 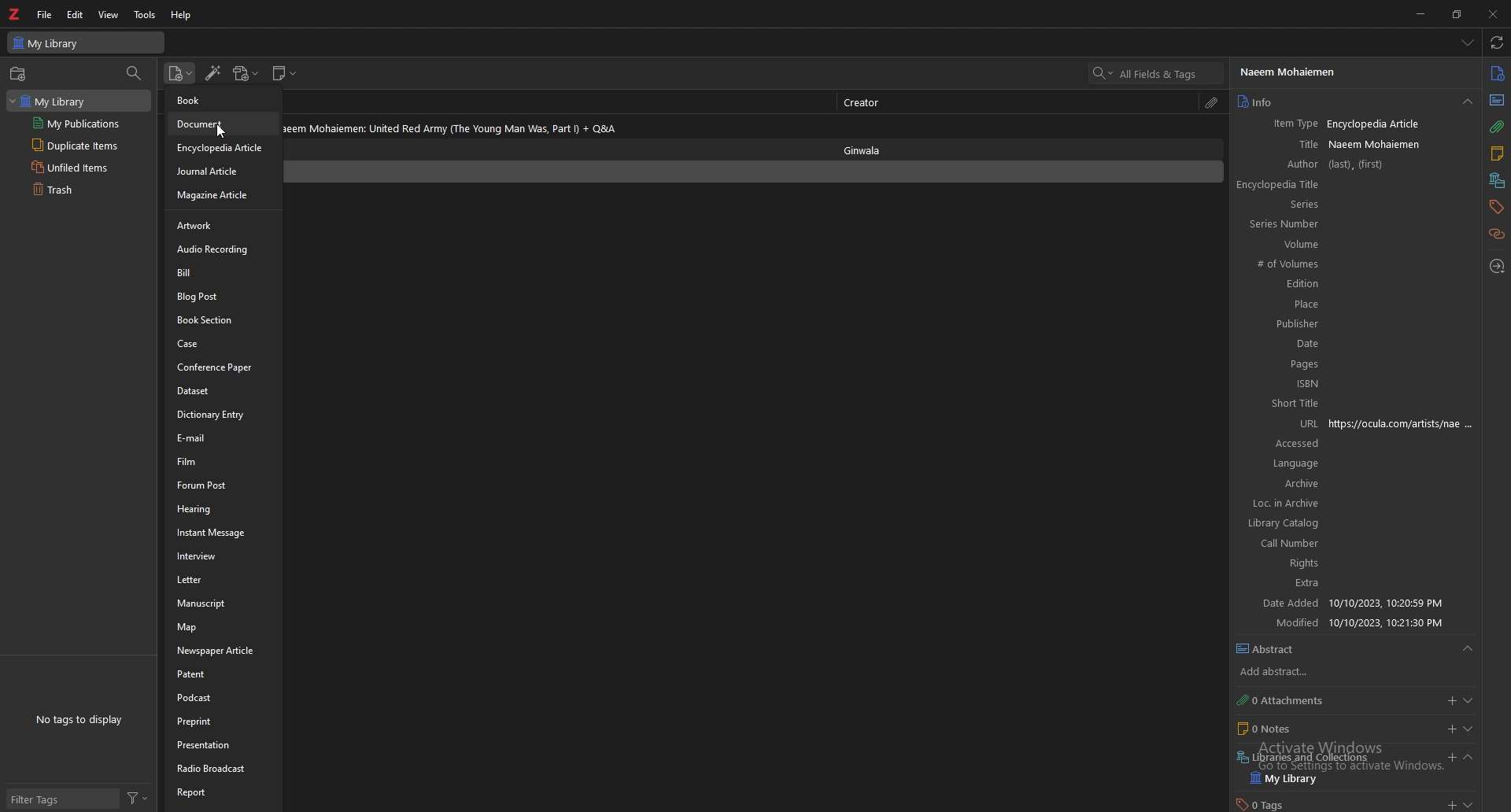 What do you see at coordinates (1281, 143) in the screenshot?
I see `title` at bounding box center [1281, 143].